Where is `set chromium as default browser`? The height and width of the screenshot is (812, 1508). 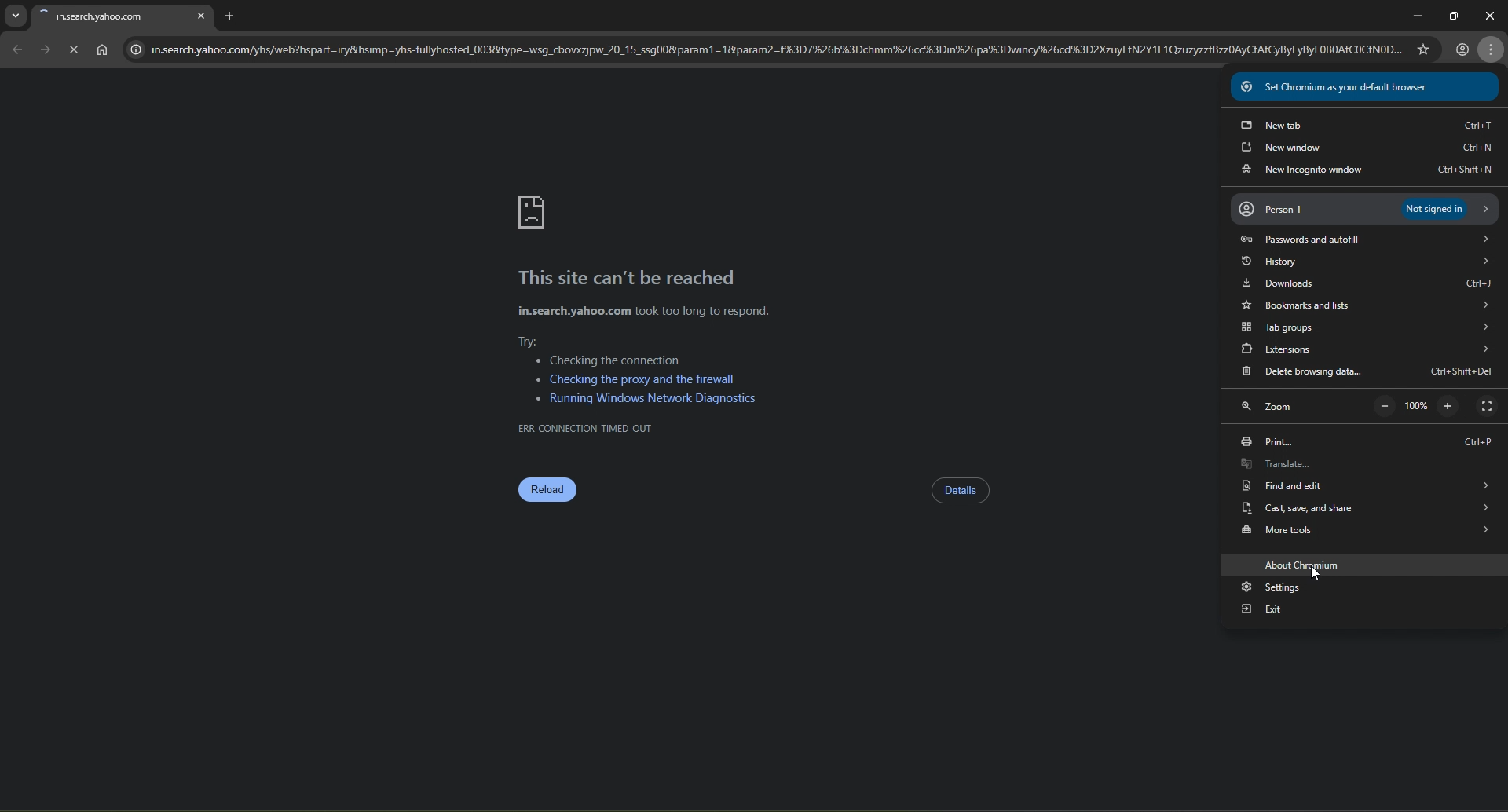
set chromium as default browser is located at coordinates (1361, 85).